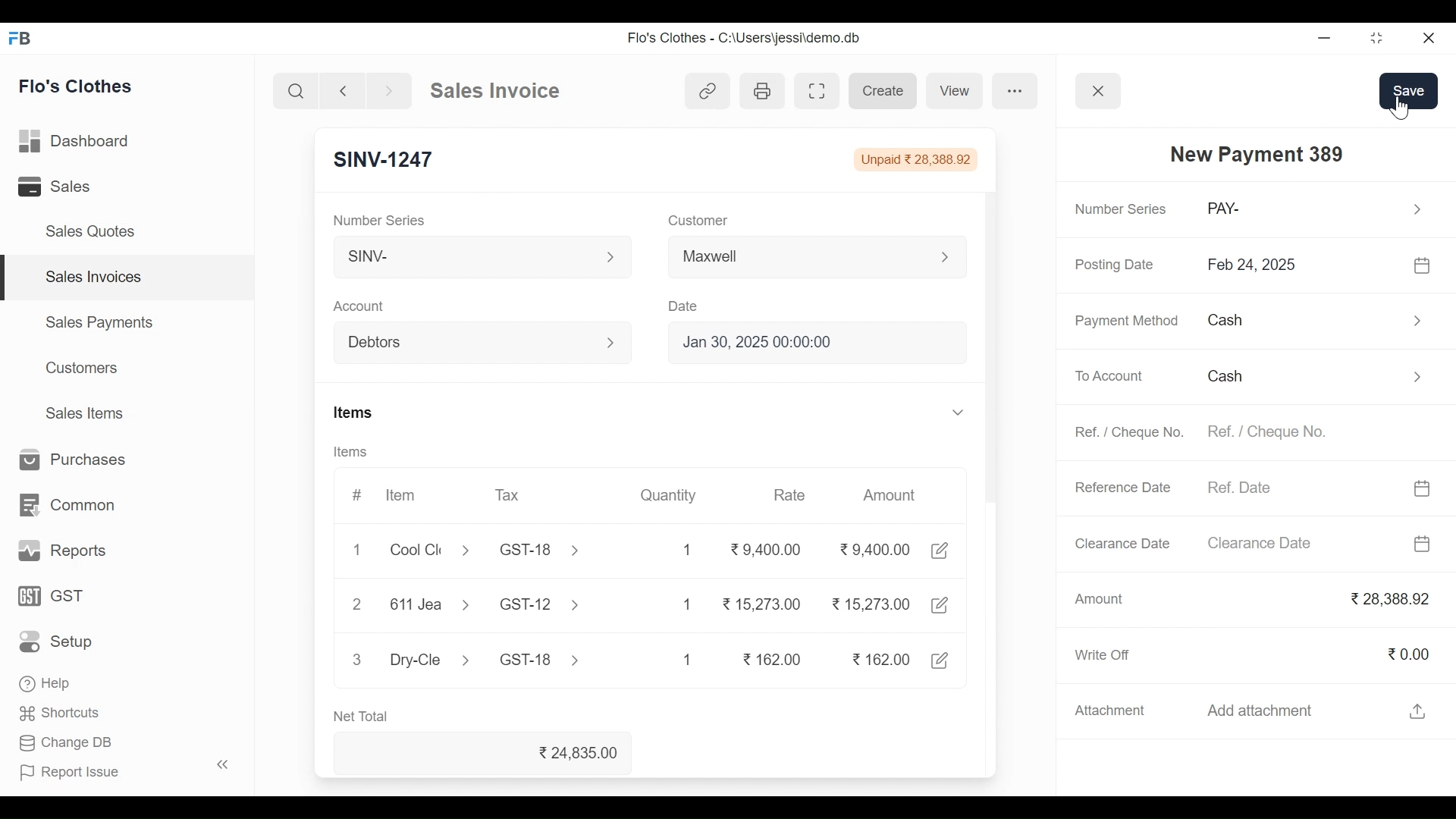 The image size is (1456, 819). I want to click on Dashboard, so click(76, 143).